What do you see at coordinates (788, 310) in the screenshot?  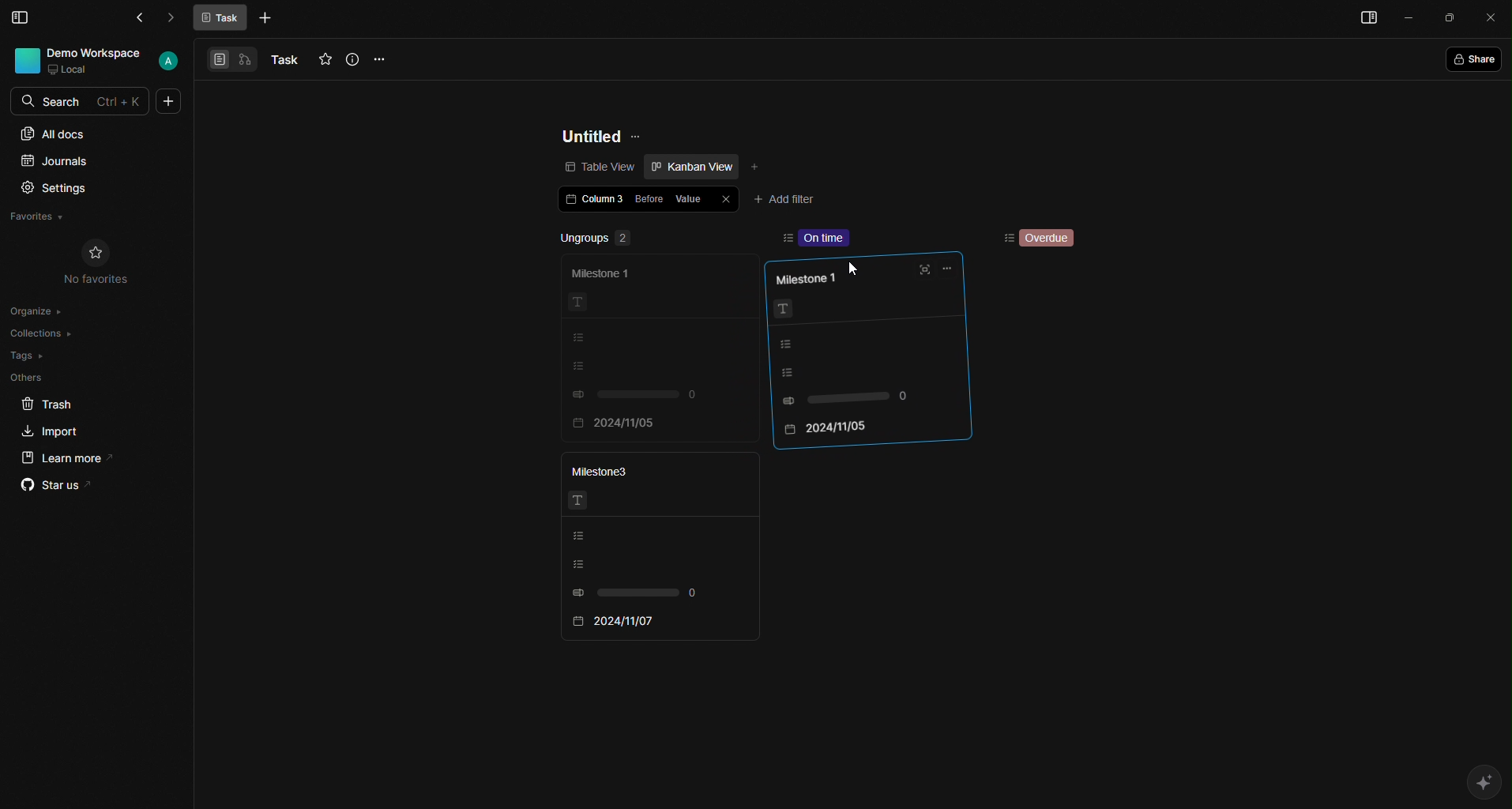 I see `Text` at bounding box center [788, 310].